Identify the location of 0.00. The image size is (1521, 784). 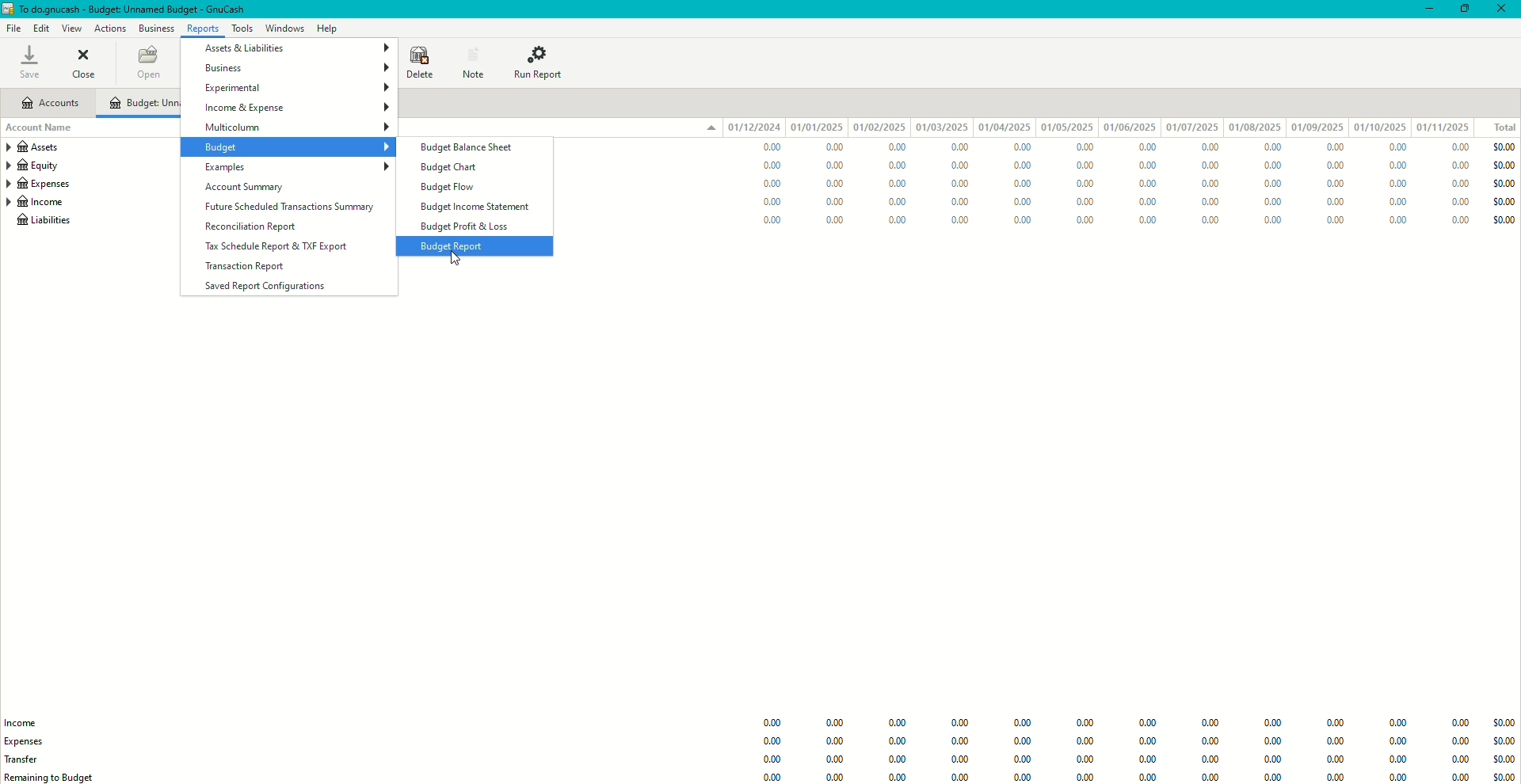
(898, 183).